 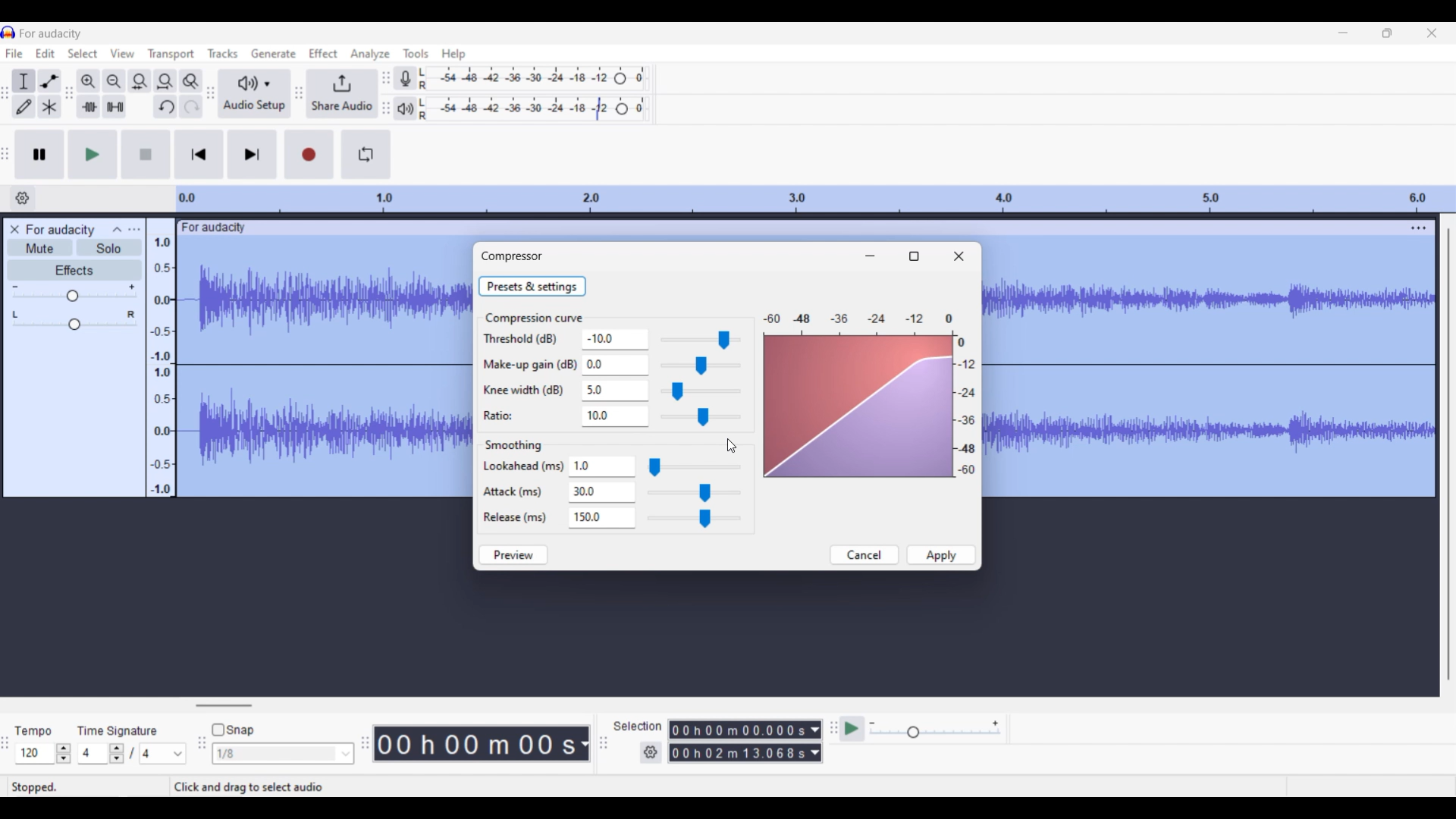 What do you see at coordinates (613, 365) in the screenshot?
I see `Text box for make up gain` at bounding box center [613, 365].